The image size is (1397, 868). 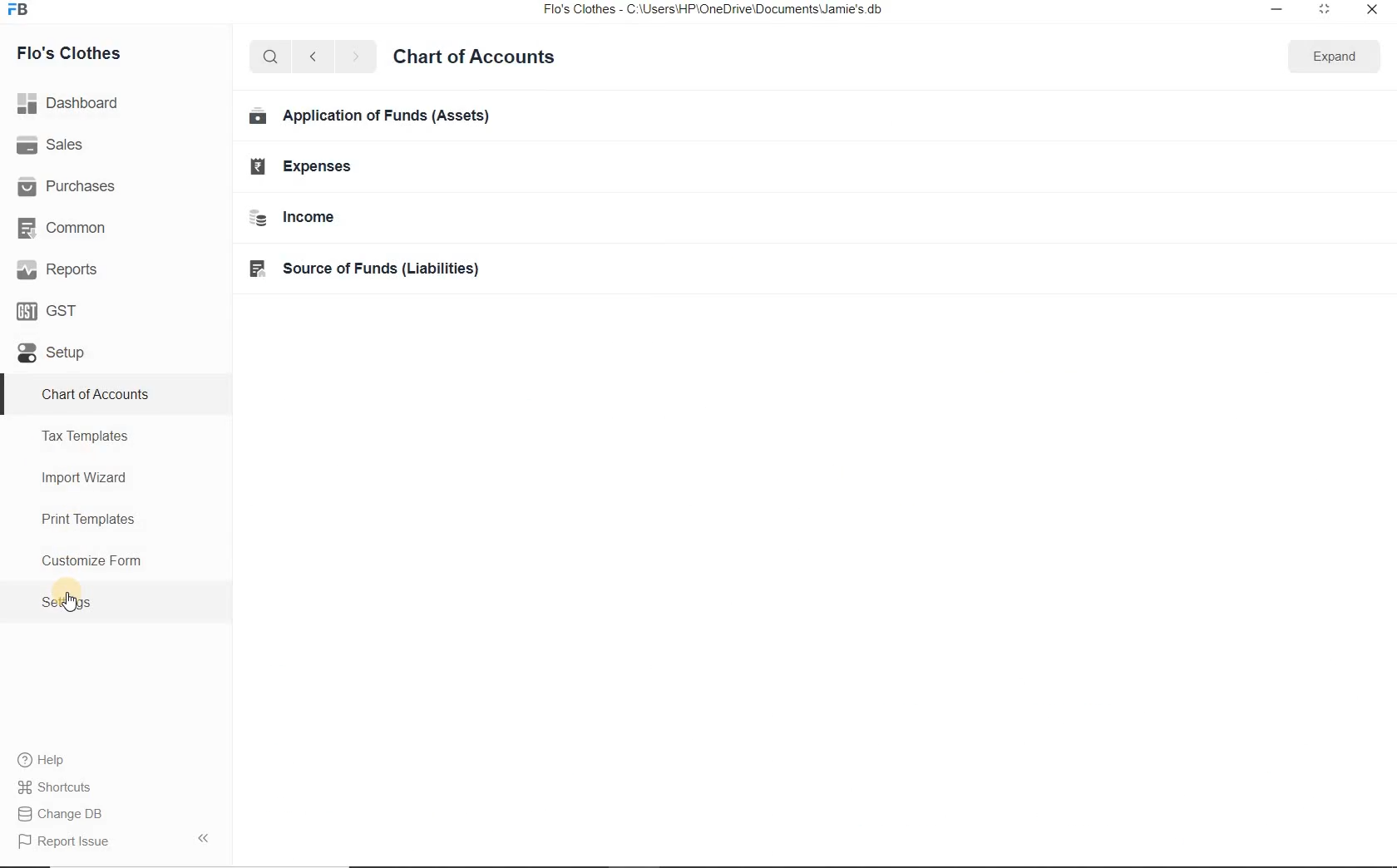 I want to click on = Income, so click(x=291, y=218).